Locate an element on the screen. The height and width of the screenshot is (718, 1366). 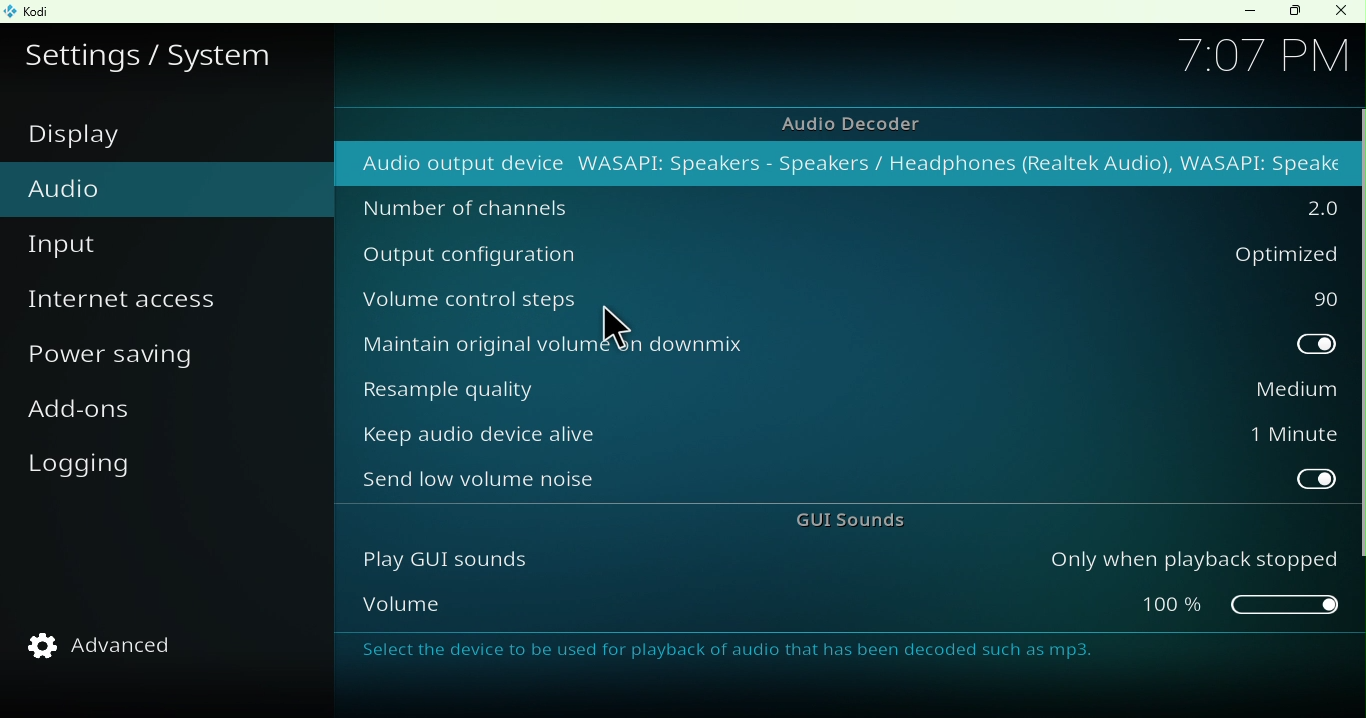
Input is located at coordinates (68, 244).